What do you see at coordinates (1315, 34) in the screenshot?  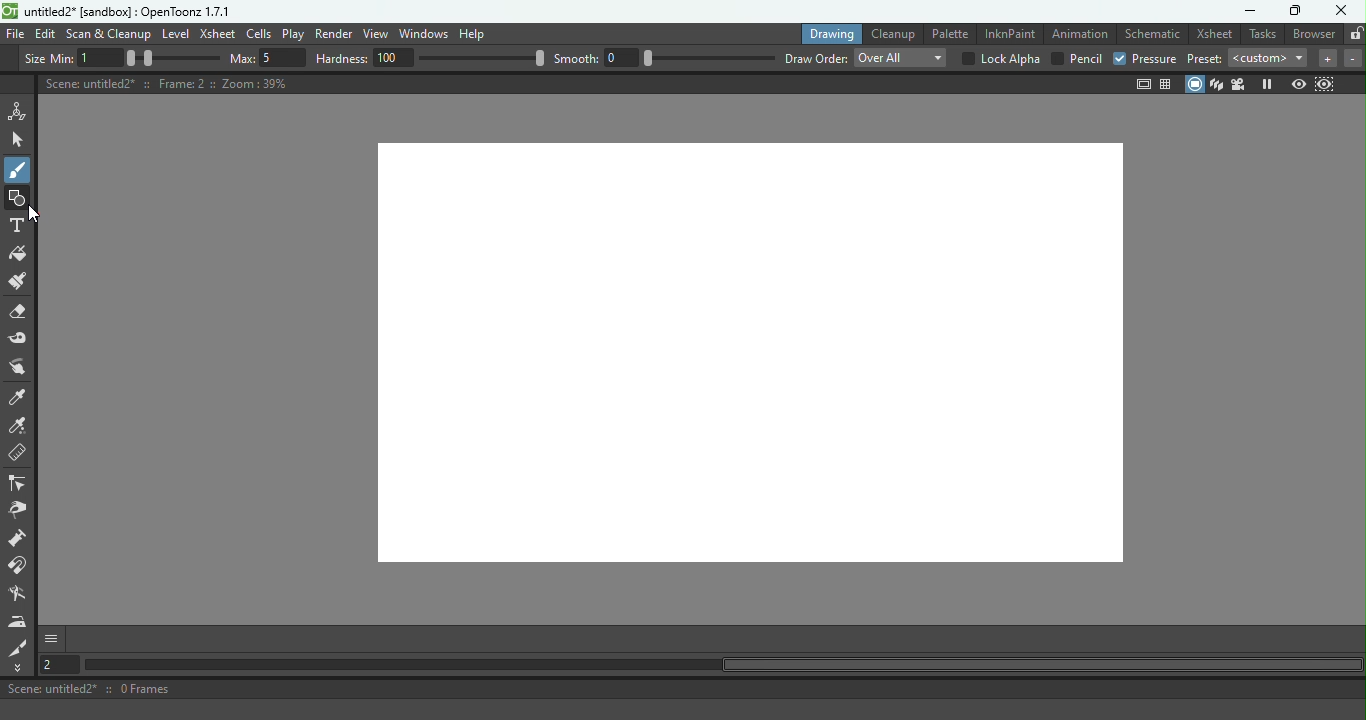 I see `Browser` at bounding box center [1315, 34].